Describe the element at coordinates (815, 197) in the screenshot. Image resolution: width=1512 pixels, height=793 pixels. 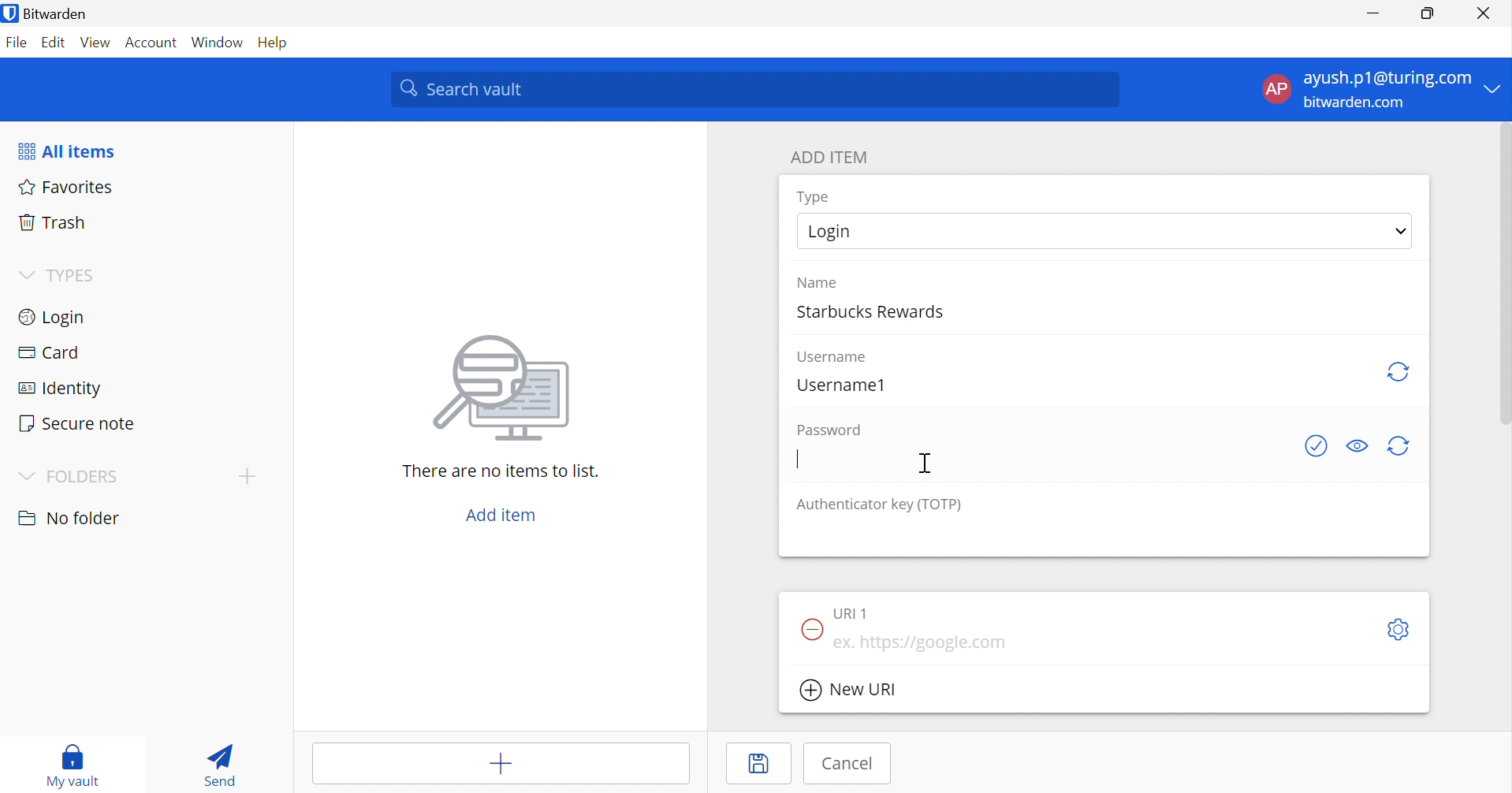
I see `Type` at that location.